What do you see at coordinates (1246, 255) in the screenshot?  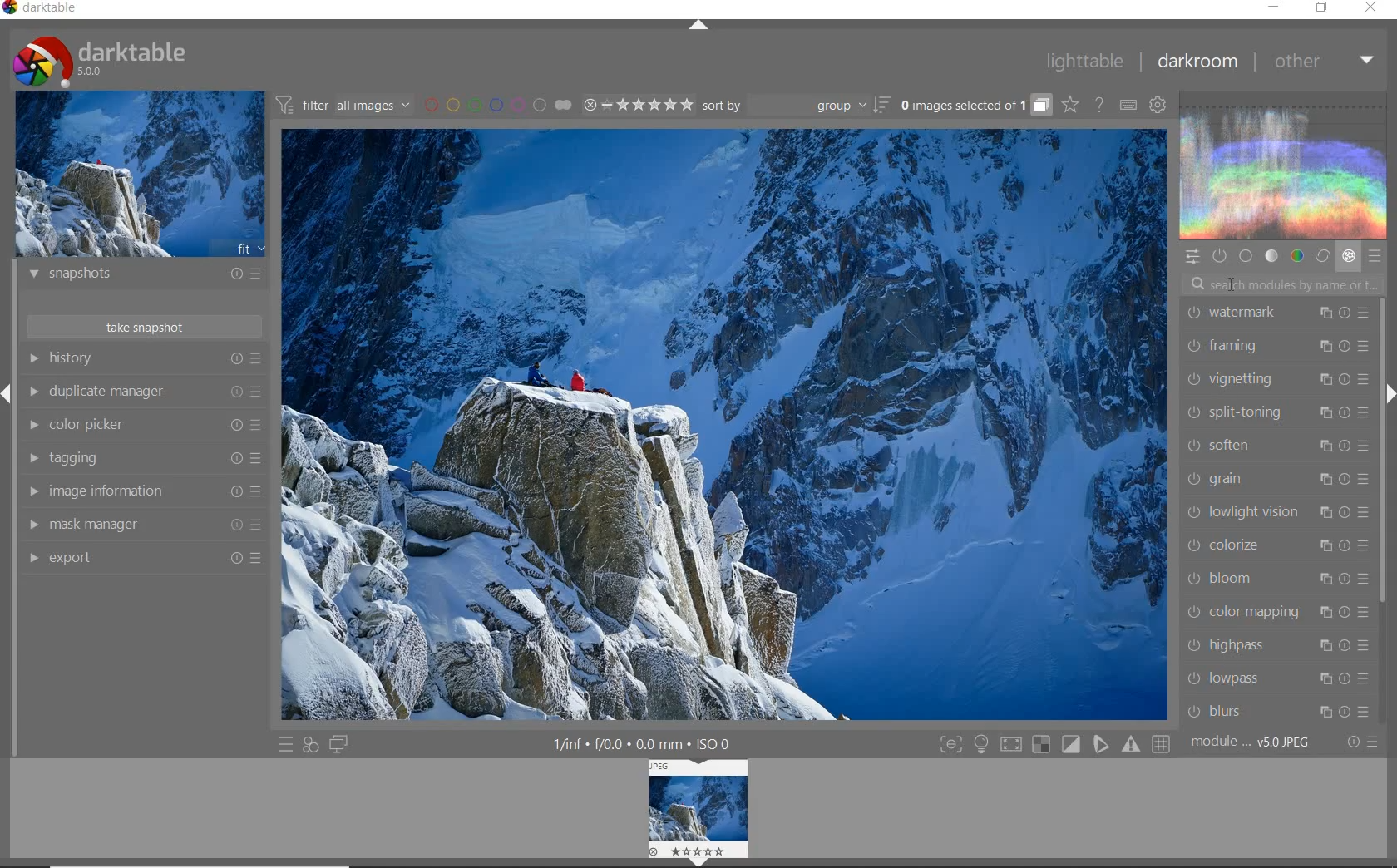 I see `base` at bounding box center [1246, 255].